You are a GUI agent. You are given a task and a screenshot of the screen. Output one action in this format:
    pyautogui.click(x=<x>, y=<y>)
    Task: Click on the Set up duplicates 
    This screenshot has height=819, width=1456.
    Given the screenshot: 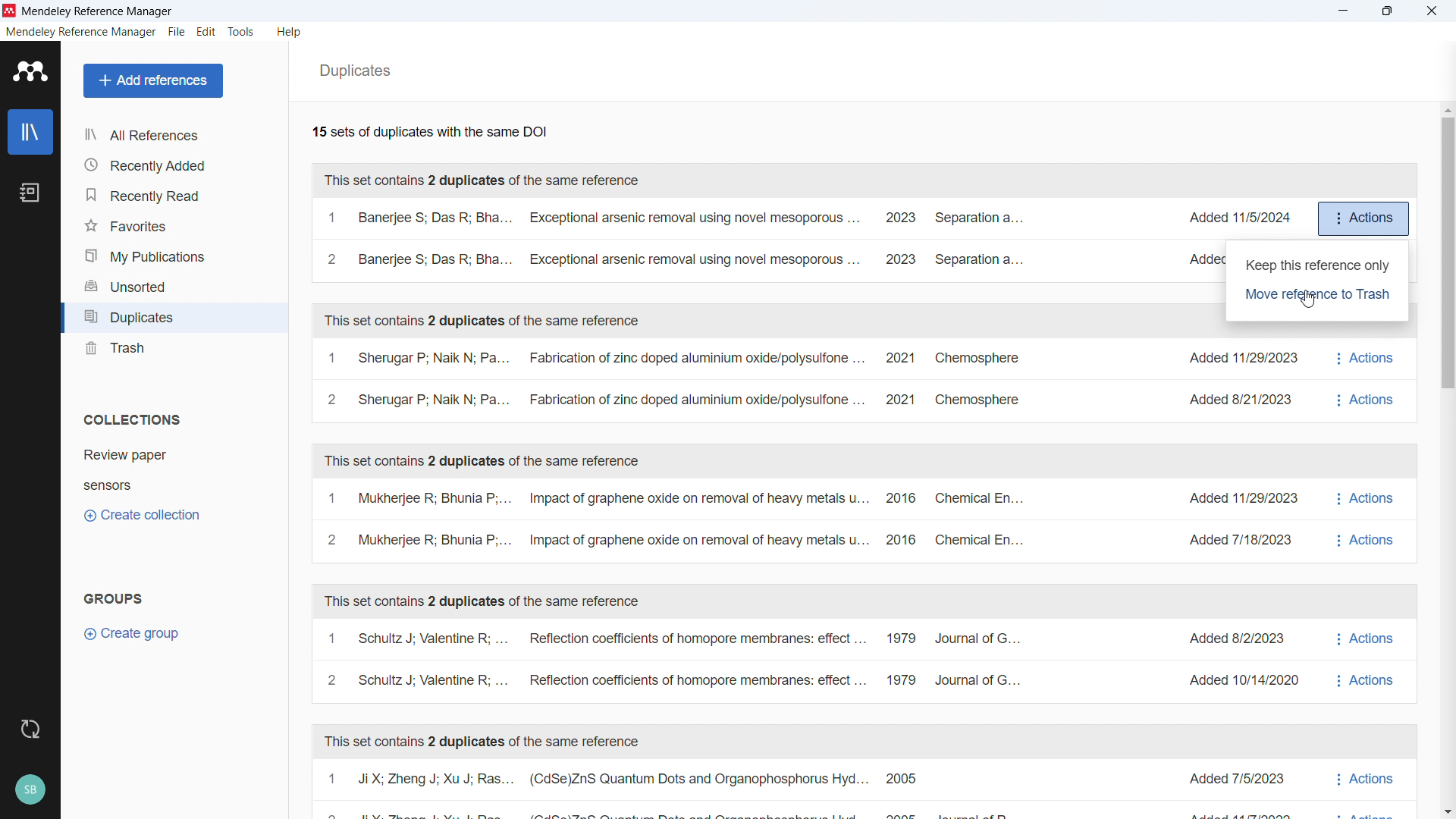 What is the action you would take?
    pyautogui.click(x=673, y=240)
    